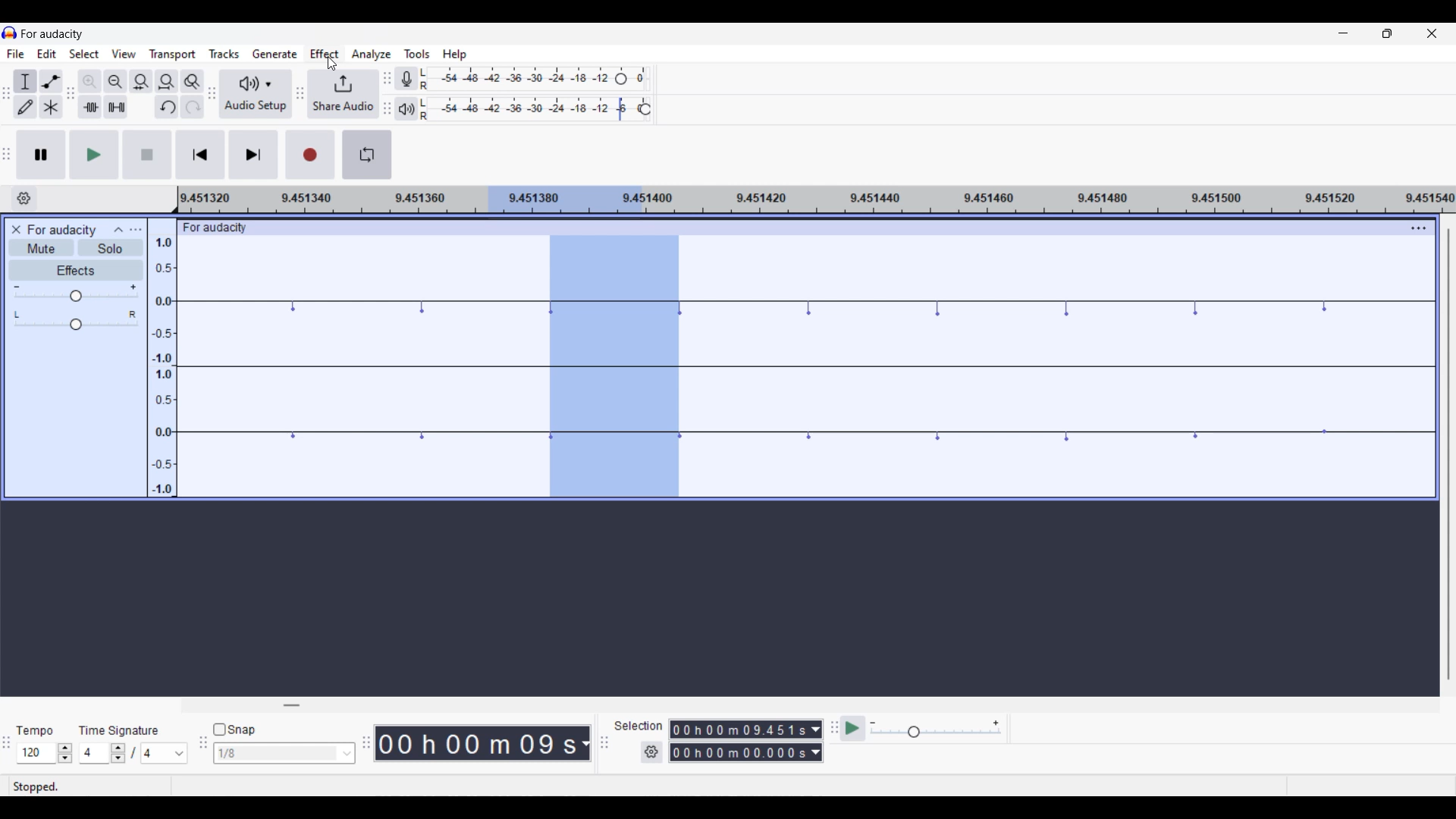 The height and width of the screenshot is (819, 1456). I want to click on Collapse, so click(119, 230).